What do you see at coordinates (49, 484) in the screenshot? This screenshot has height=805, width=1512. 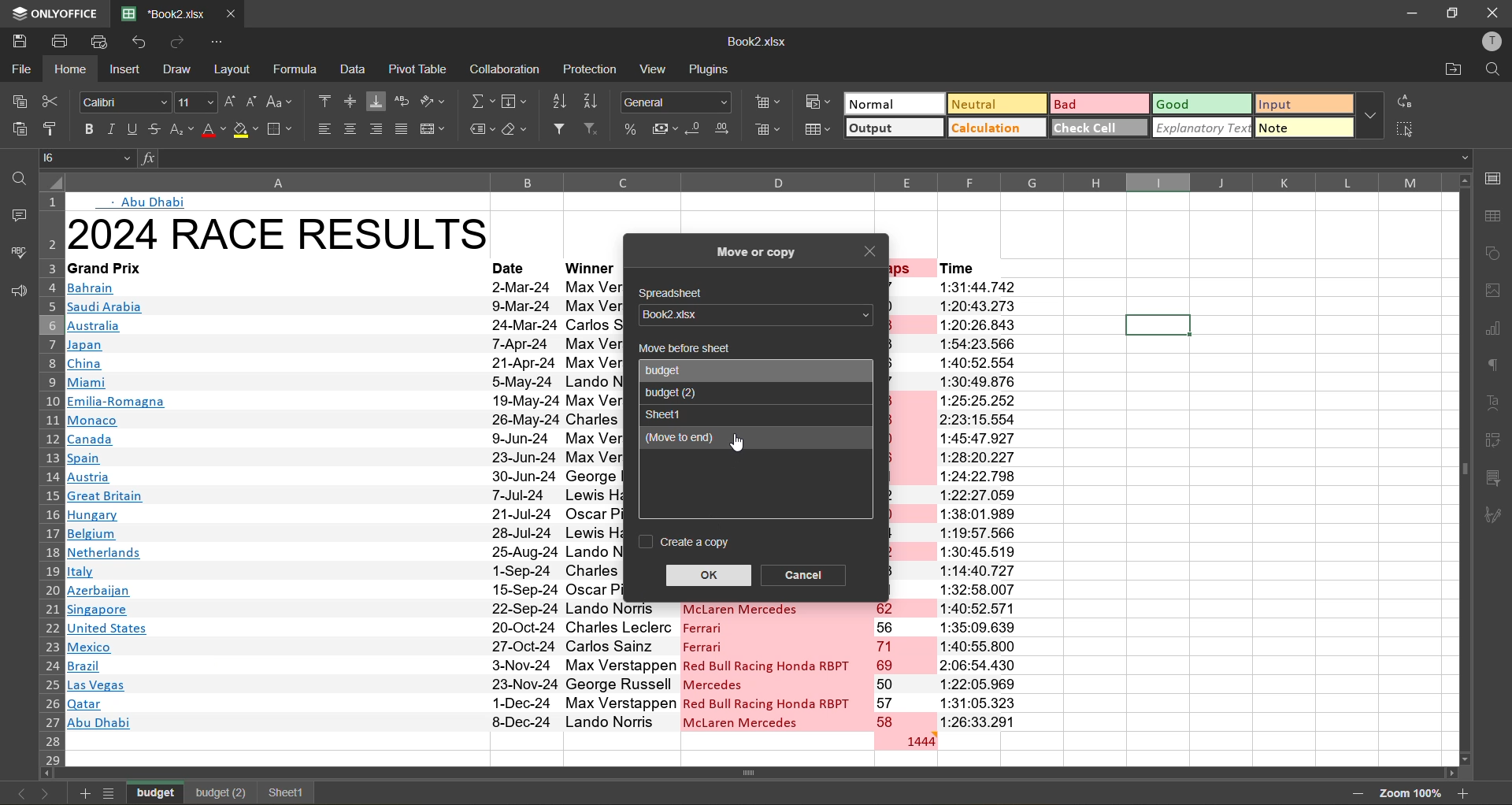 I see `row numbers` at bounding box center [49, 484].